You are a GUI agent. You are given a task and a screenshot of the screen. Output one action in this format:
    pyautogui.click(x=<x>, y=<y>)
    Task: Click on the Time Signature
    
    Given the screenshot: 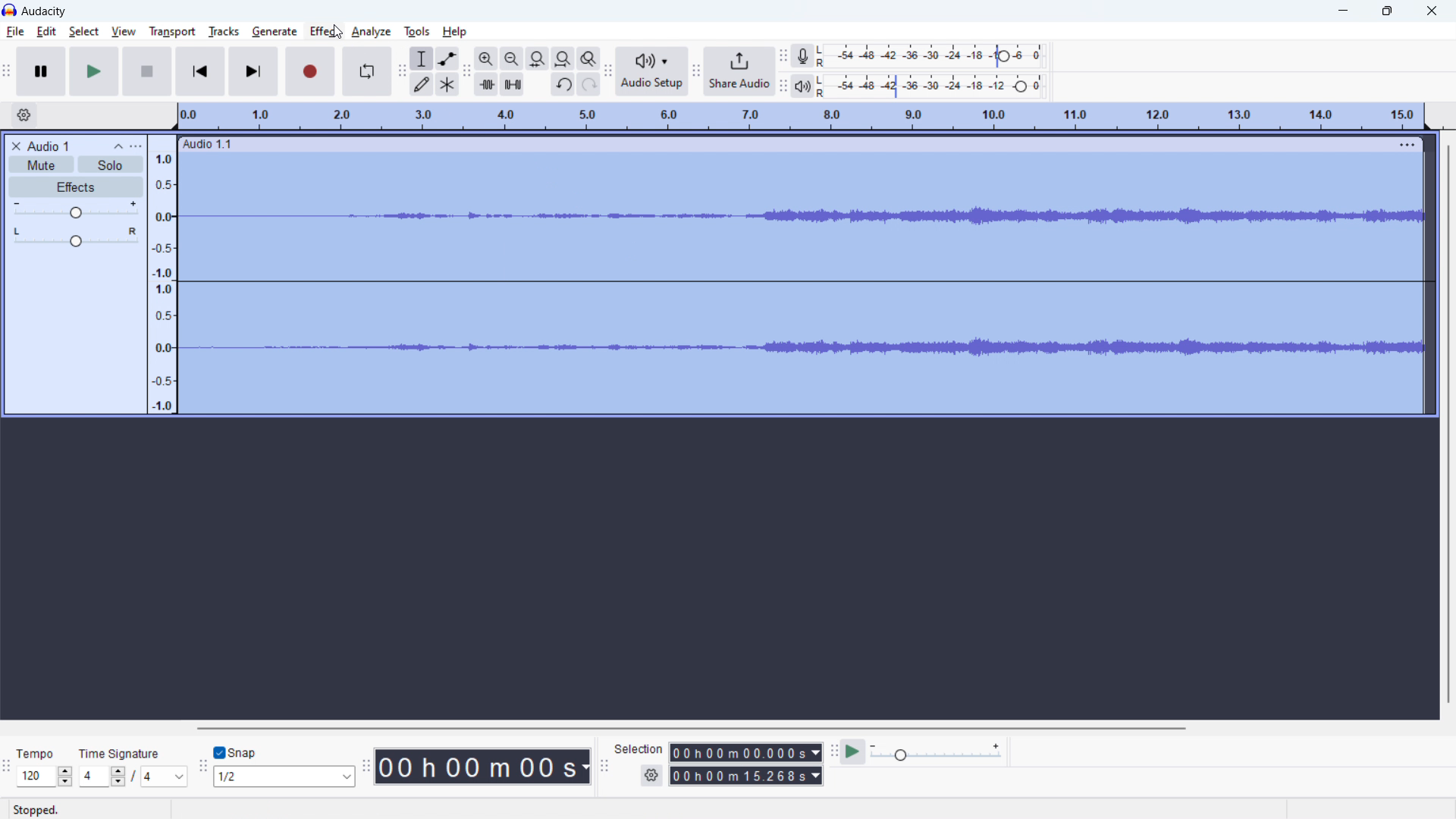 What is the action you would take?
    pyautogui.click(x=121, y=750)
    